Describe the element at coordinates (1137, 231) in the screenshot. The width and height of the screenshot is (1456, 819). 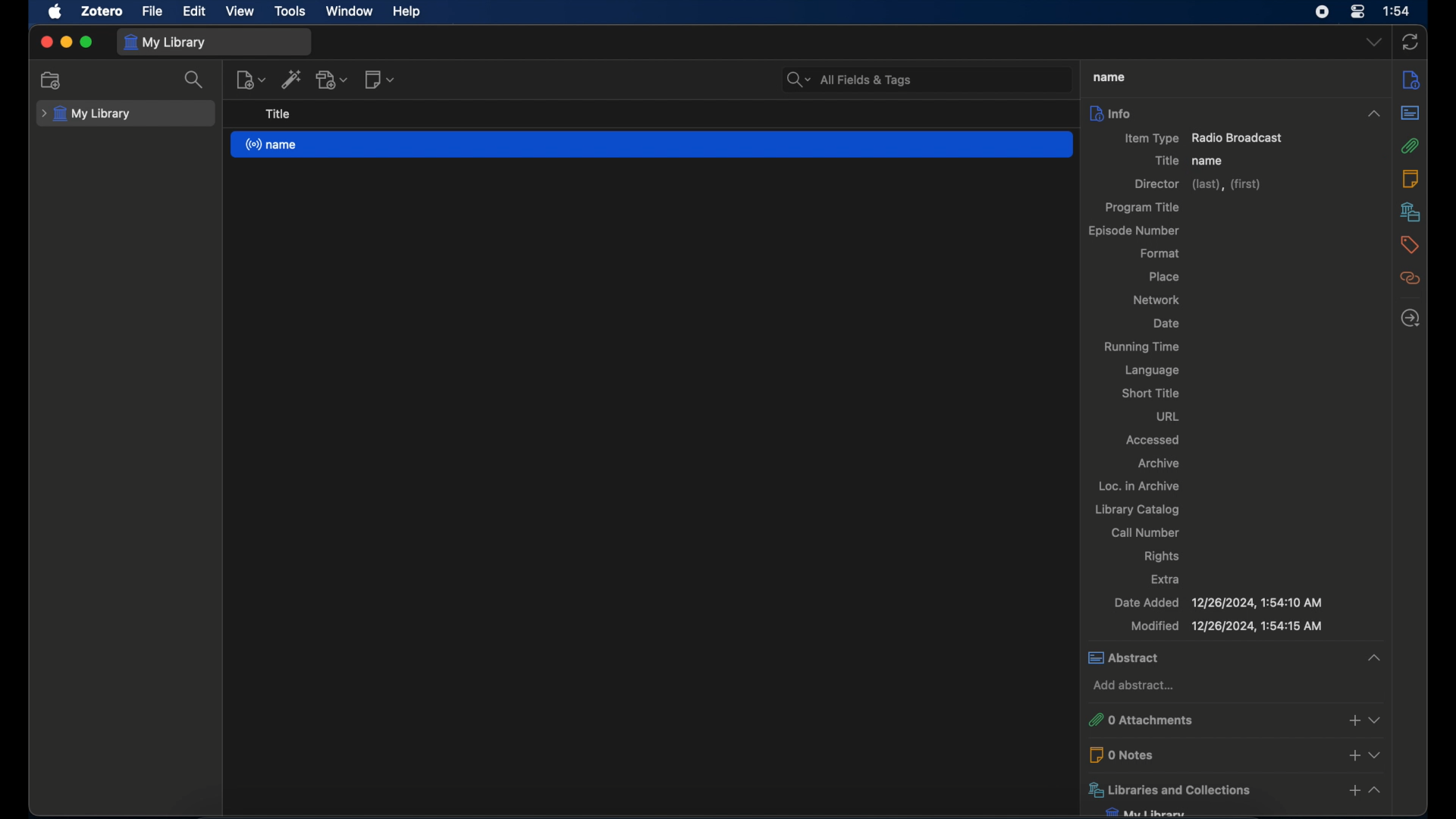
I see `episode number` at that location.